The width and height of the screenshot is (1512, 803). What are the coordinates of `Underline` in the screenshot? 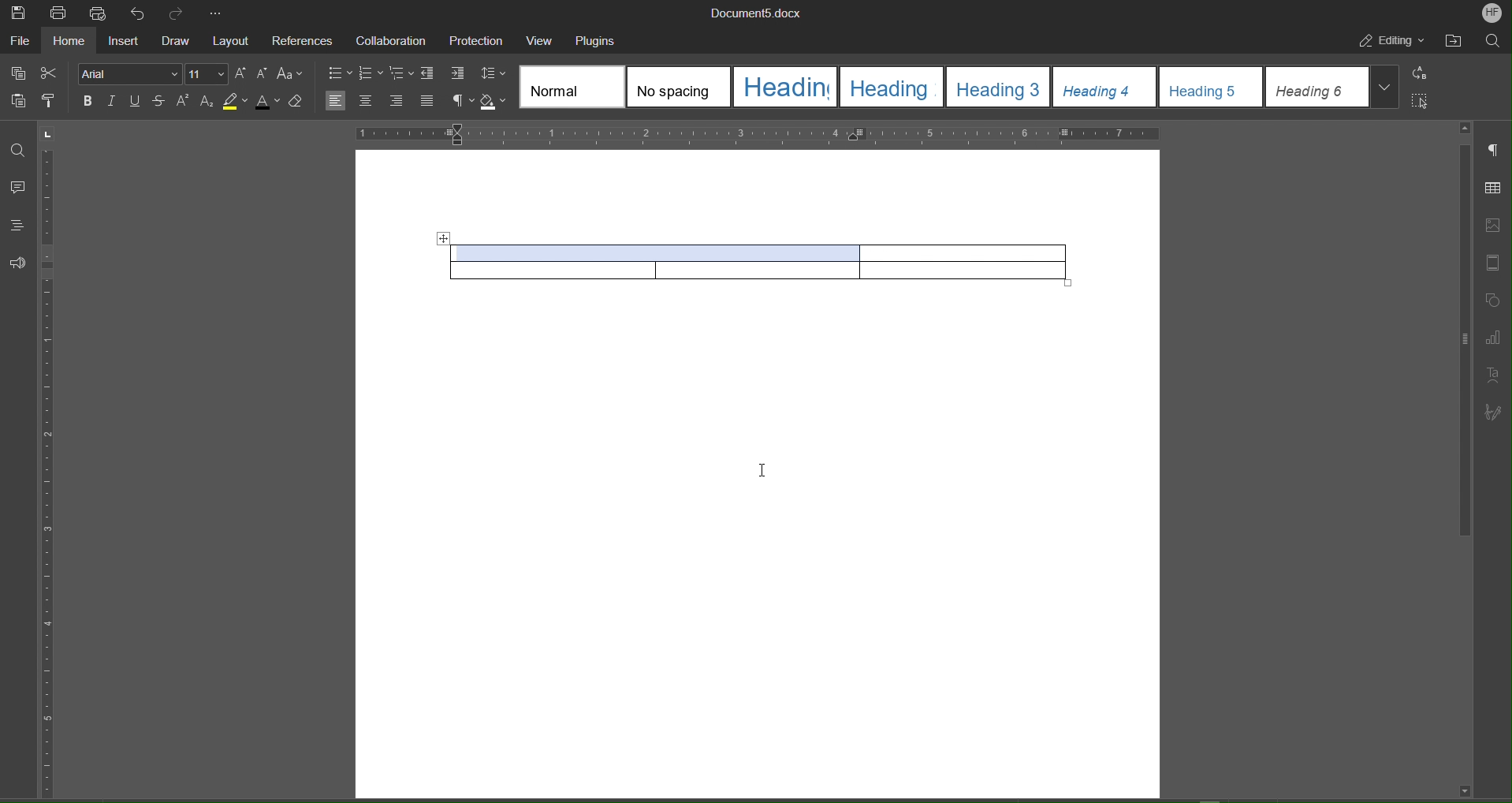 It's located at (136, 102).